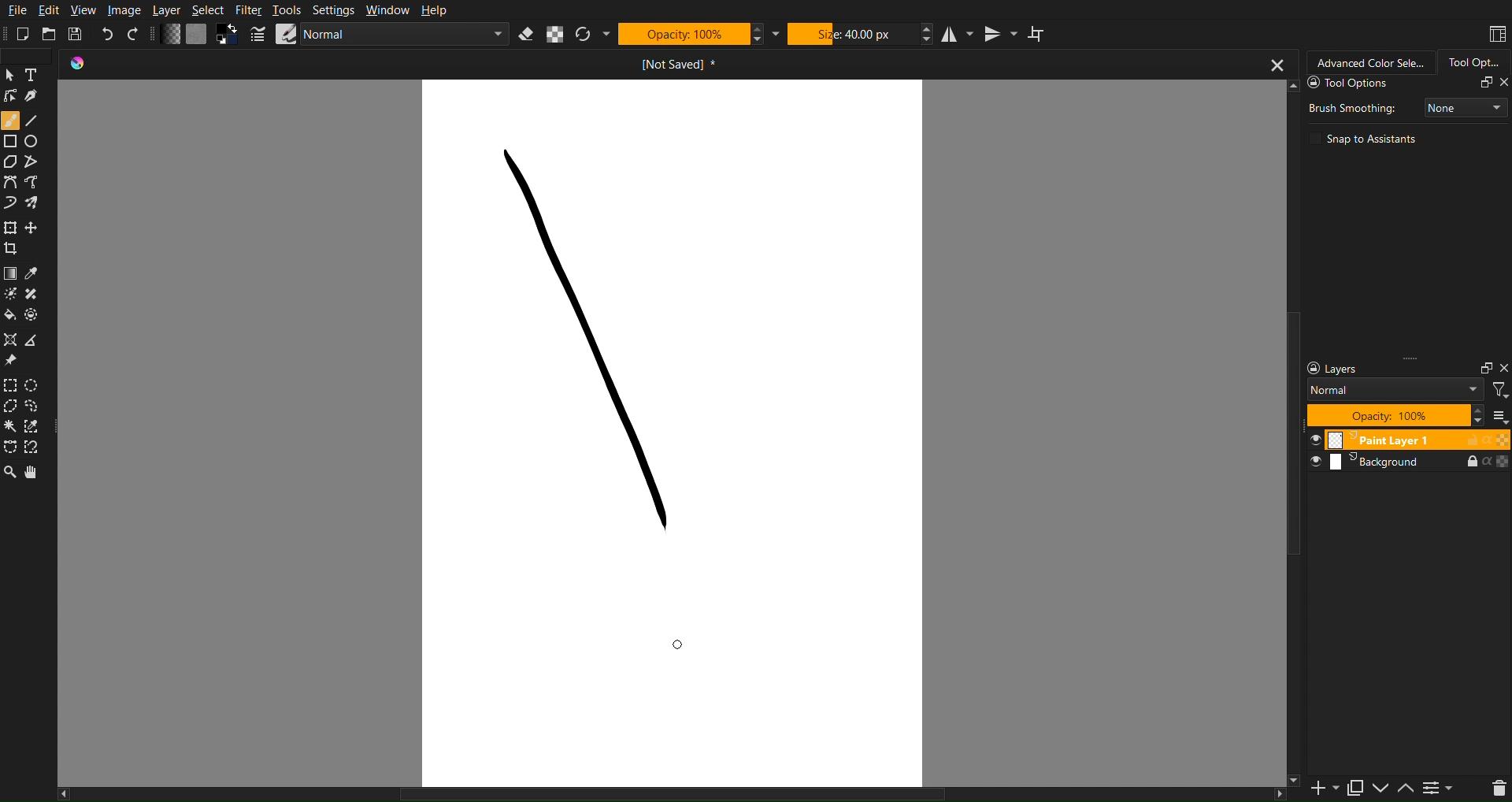 The width and height of the screenshot is (1512, 802). What do you see at coordinates (9, 273) in the screenshot?
I see `Color Options` at bounding box center [9, 273].